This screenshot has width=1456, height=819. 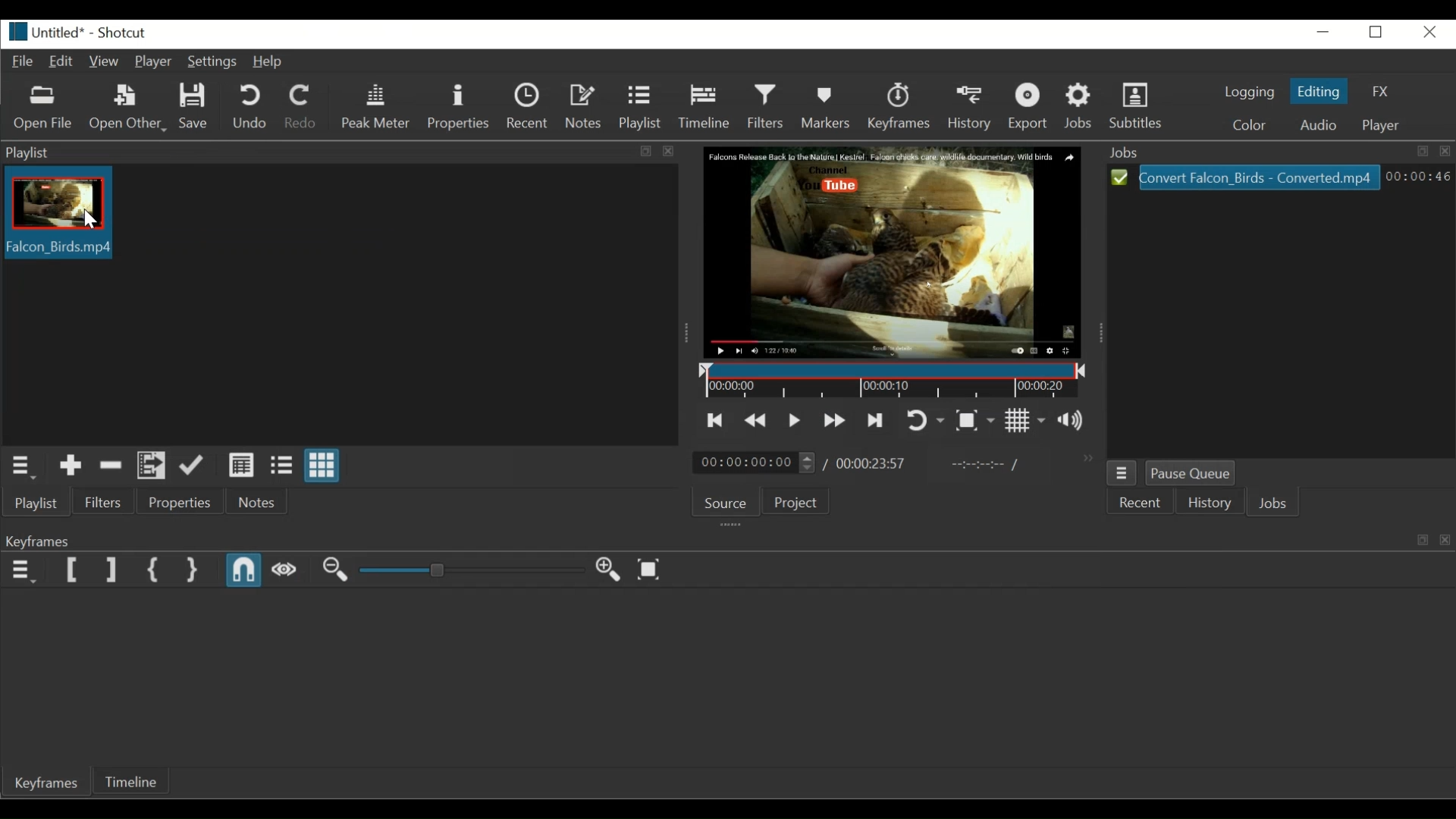 I want to click on Snap, so click(x=244, y=571).